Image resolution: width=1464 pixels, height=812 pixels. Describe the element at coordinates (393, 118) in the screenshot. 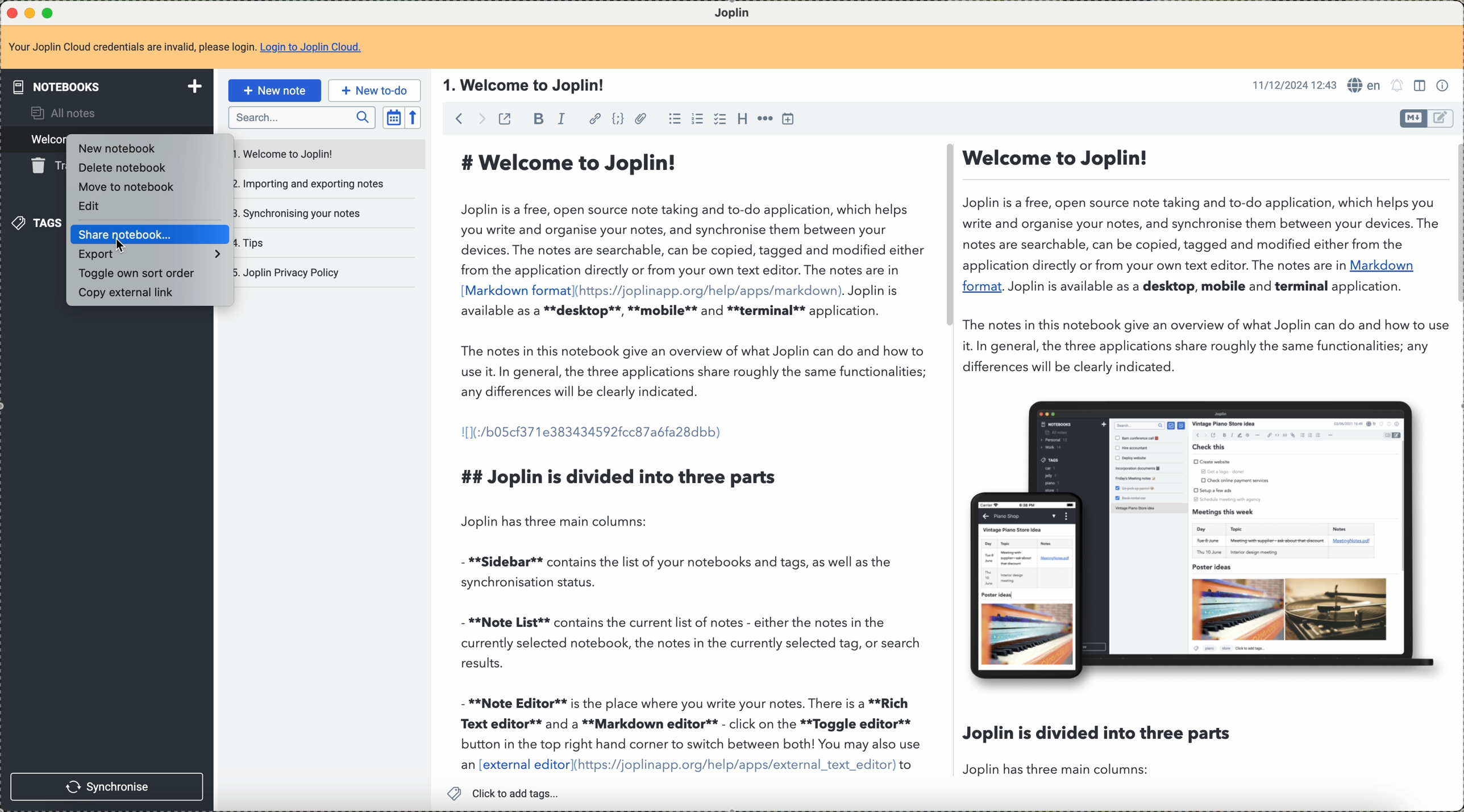

I see `toggle sort order field` at that location.